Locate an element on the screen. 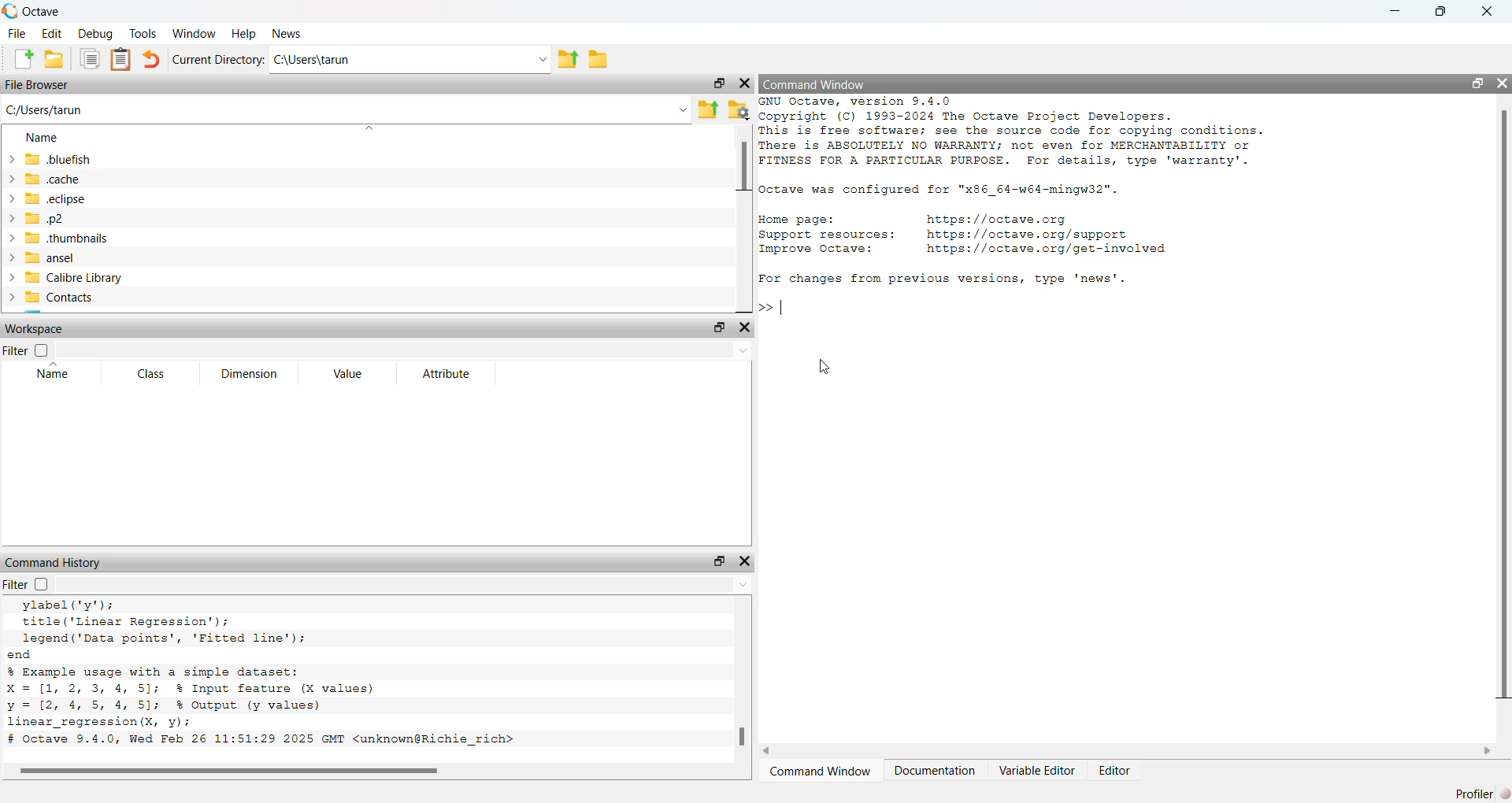  enter the path or filename is located at coordinates (344, 111).